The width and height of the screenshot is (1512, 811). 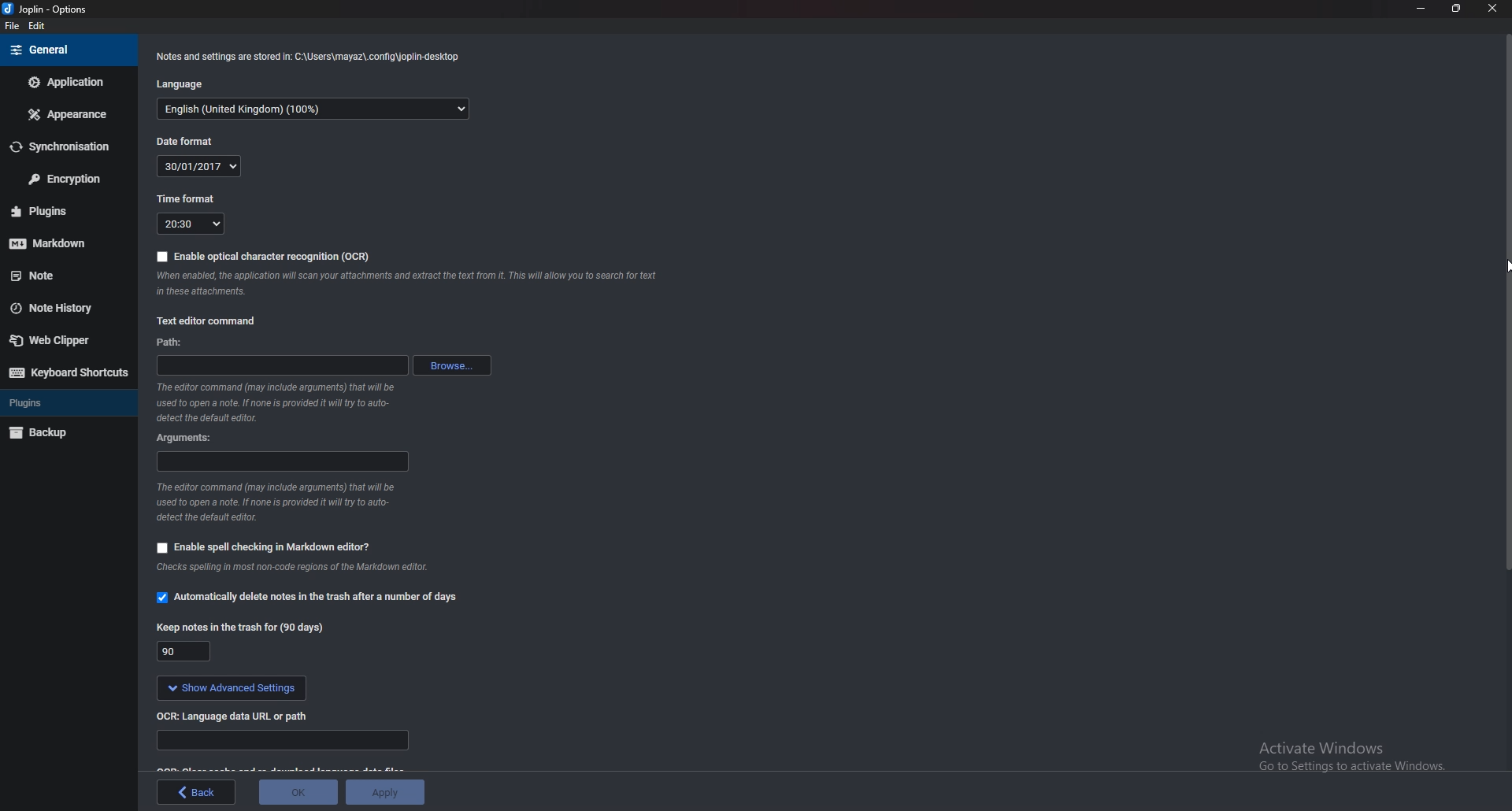 I want to click on Synchronization, so click(x=66, y=146).